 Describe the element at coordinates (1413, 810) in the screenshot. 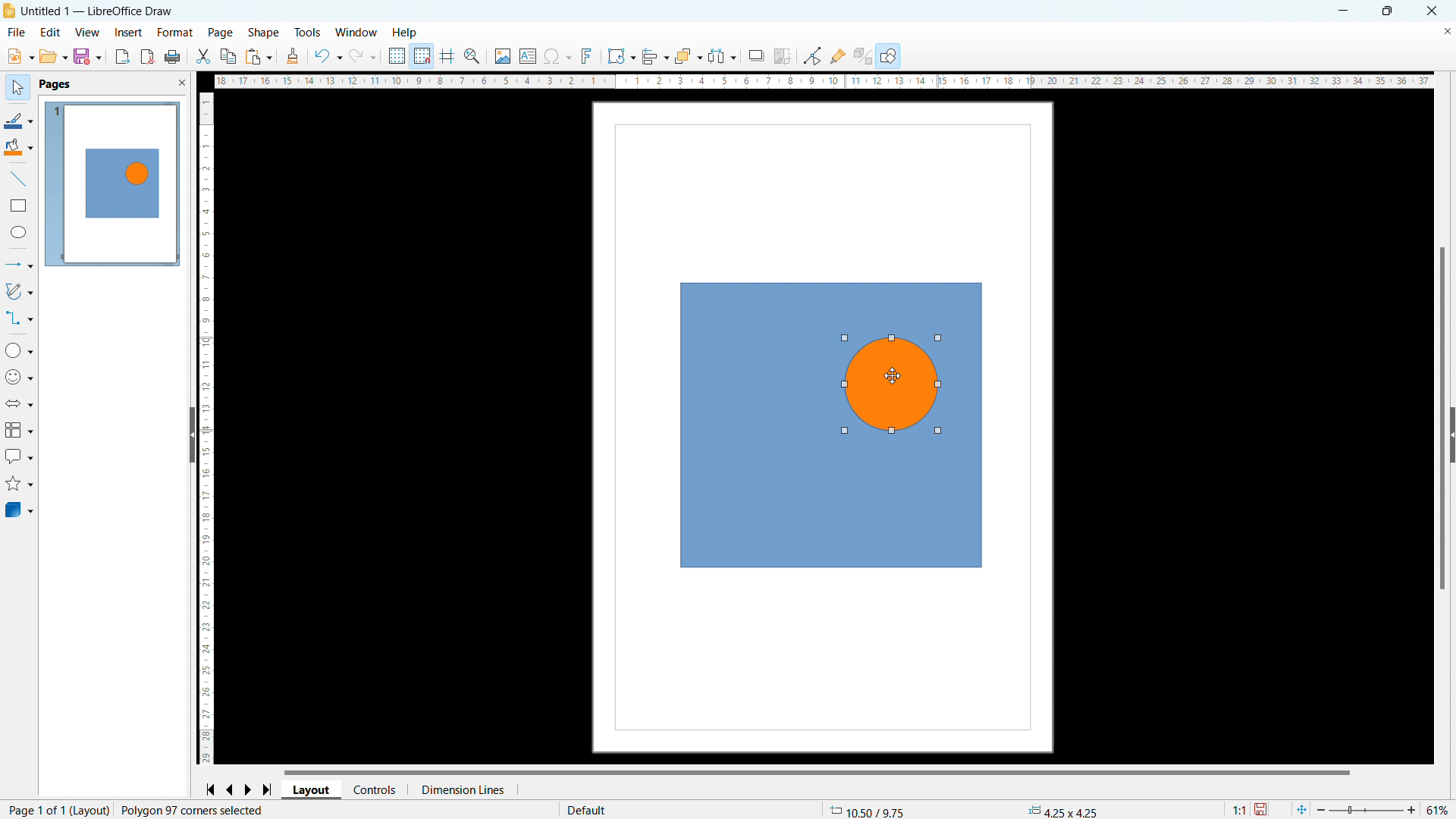

I see `zoom in` at that location.